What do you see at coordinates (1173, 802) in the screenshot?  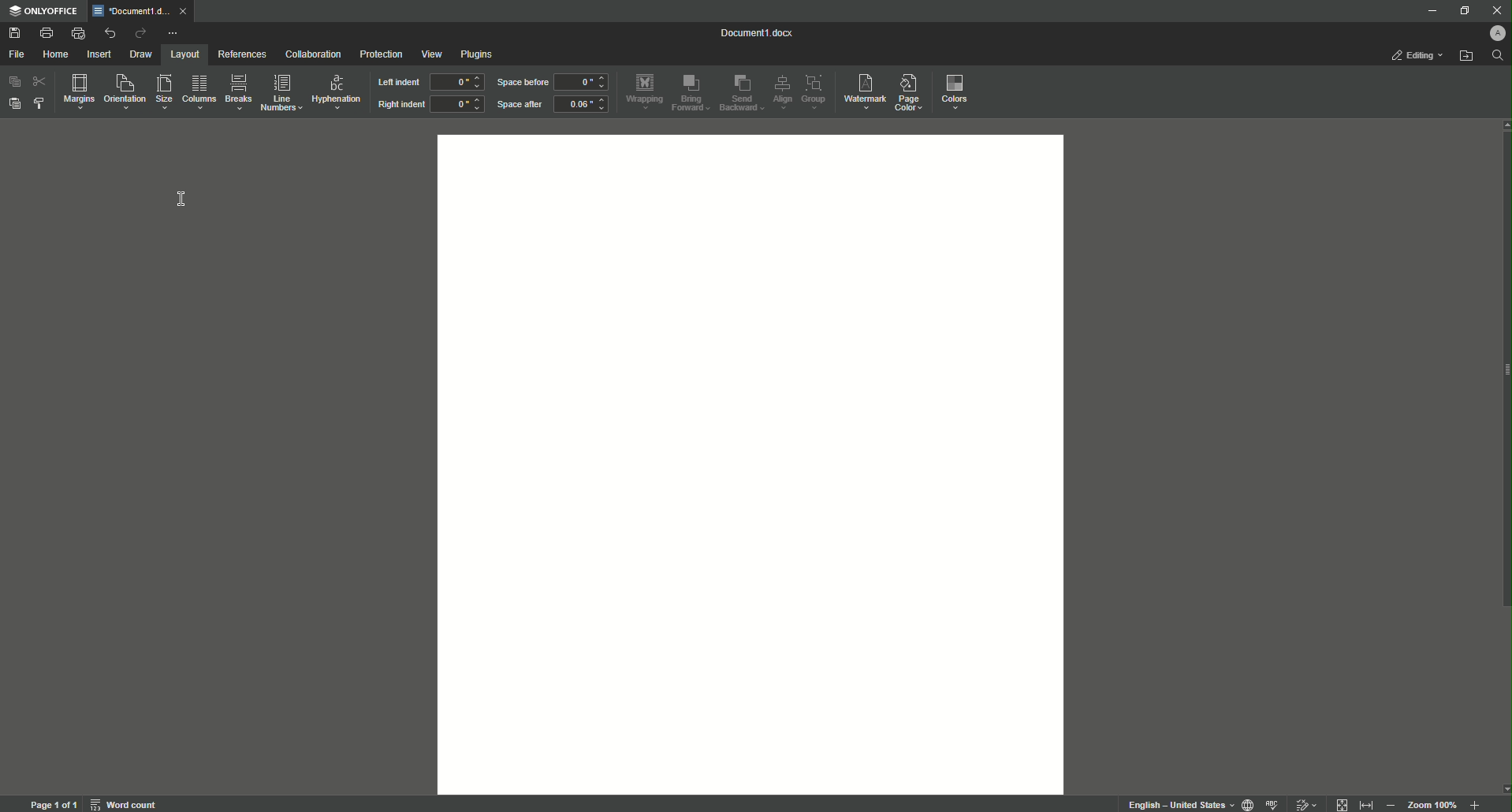 I see `English - United States` at bounding box center [1173, 802].